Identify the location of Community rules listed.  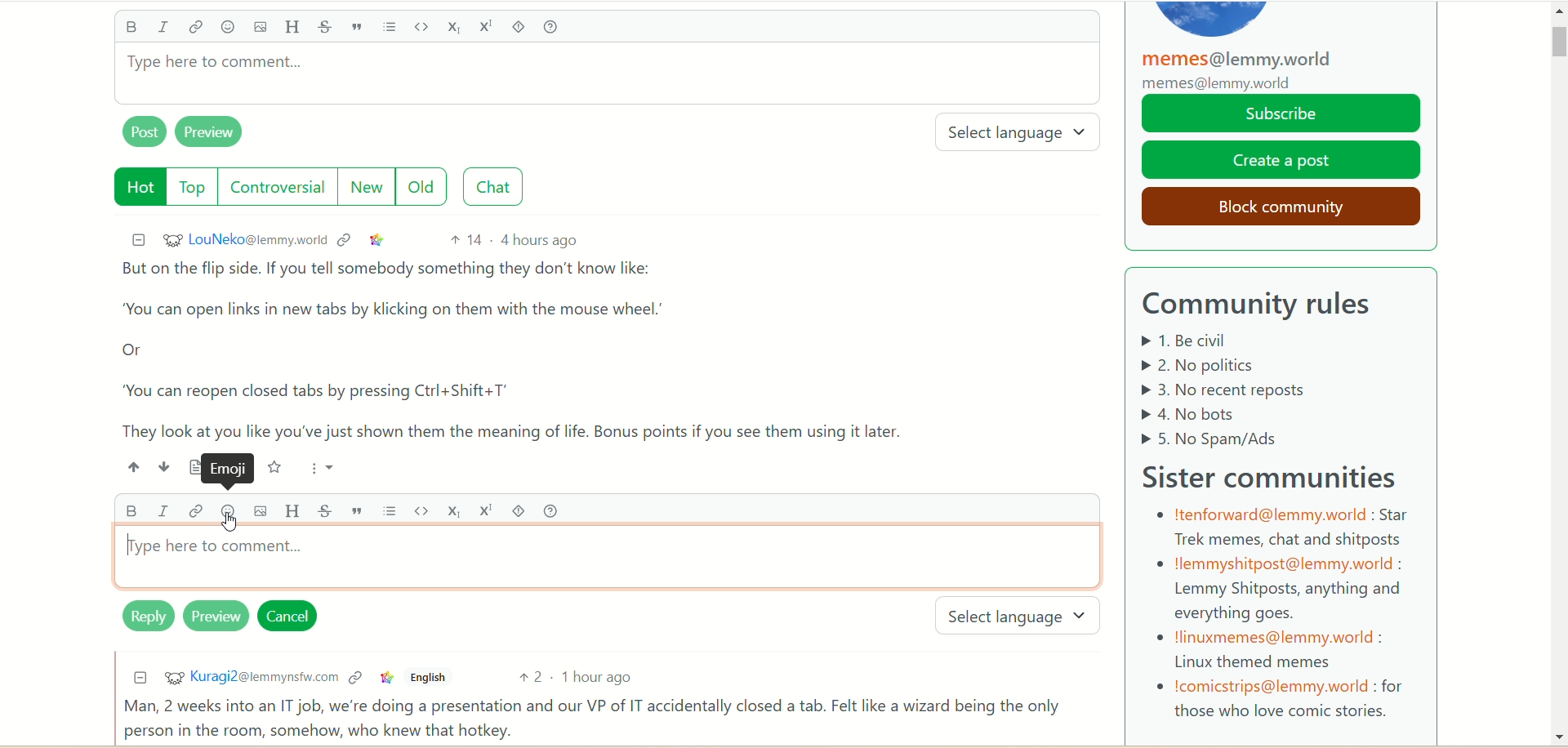
(1258, 390).